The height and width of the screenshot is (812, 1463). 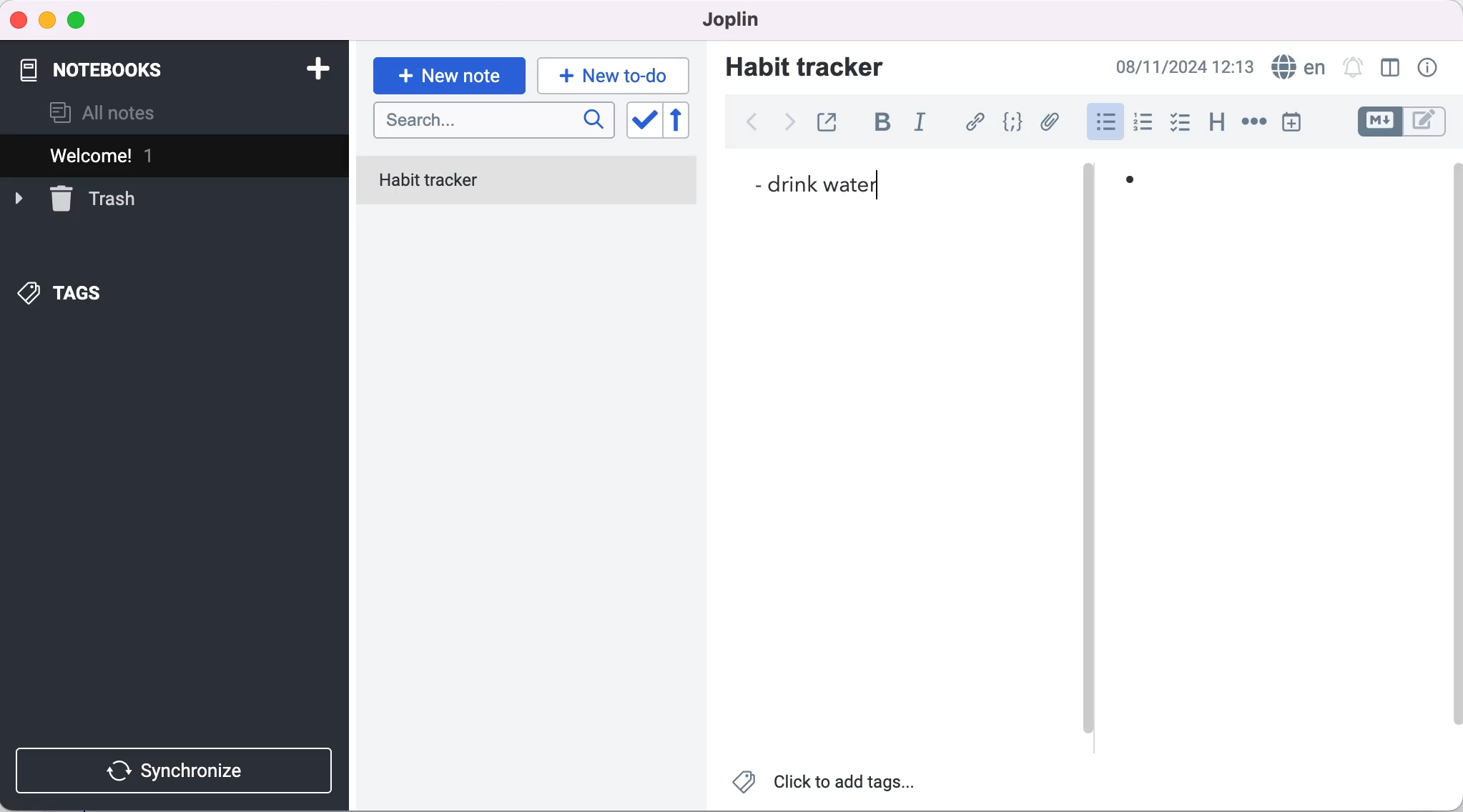 I want to click on notebooks, so click(x=114, y=63).